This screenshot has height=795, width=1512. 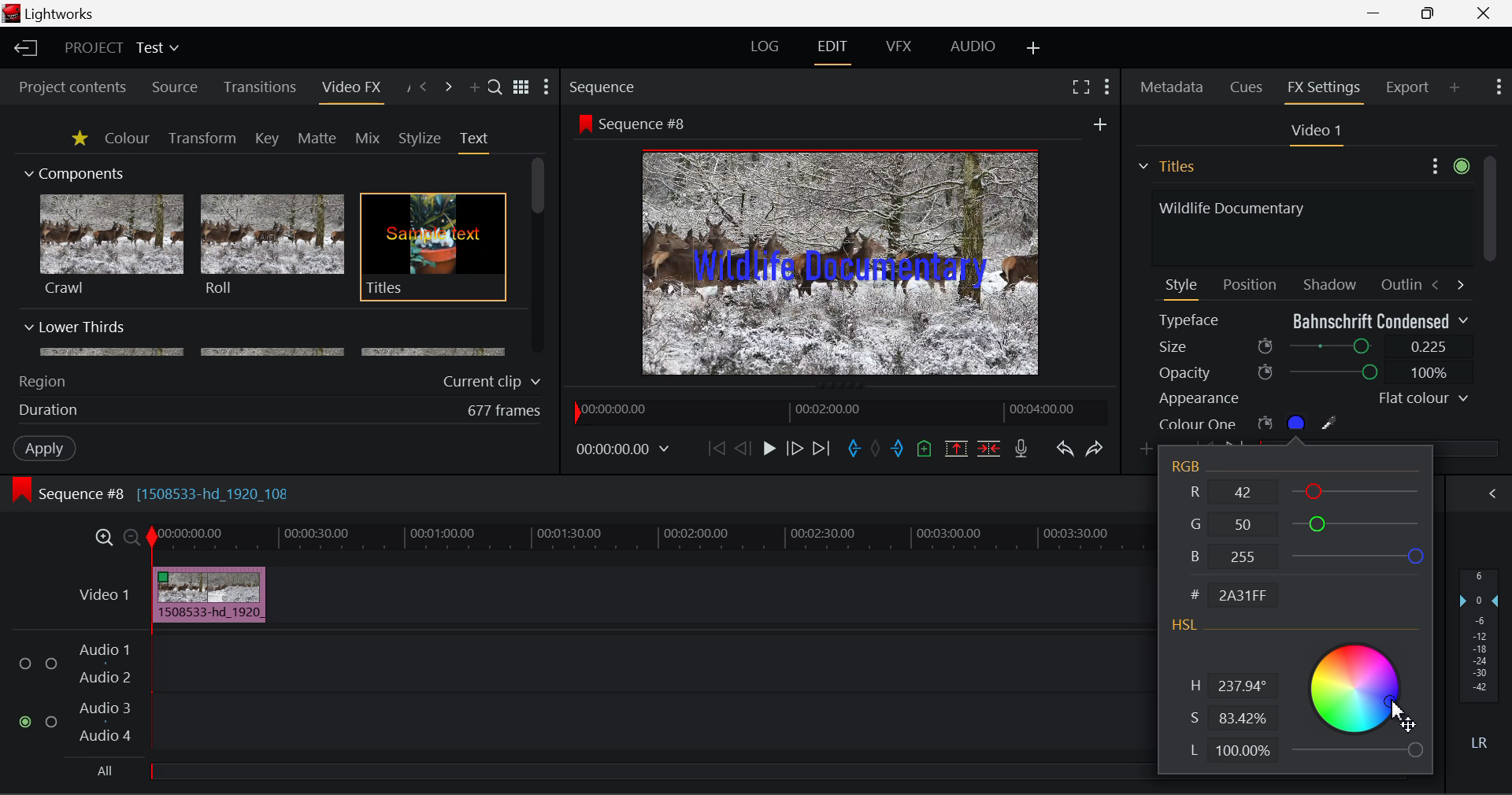 I want to click on To End, so click(x=822, y=451).